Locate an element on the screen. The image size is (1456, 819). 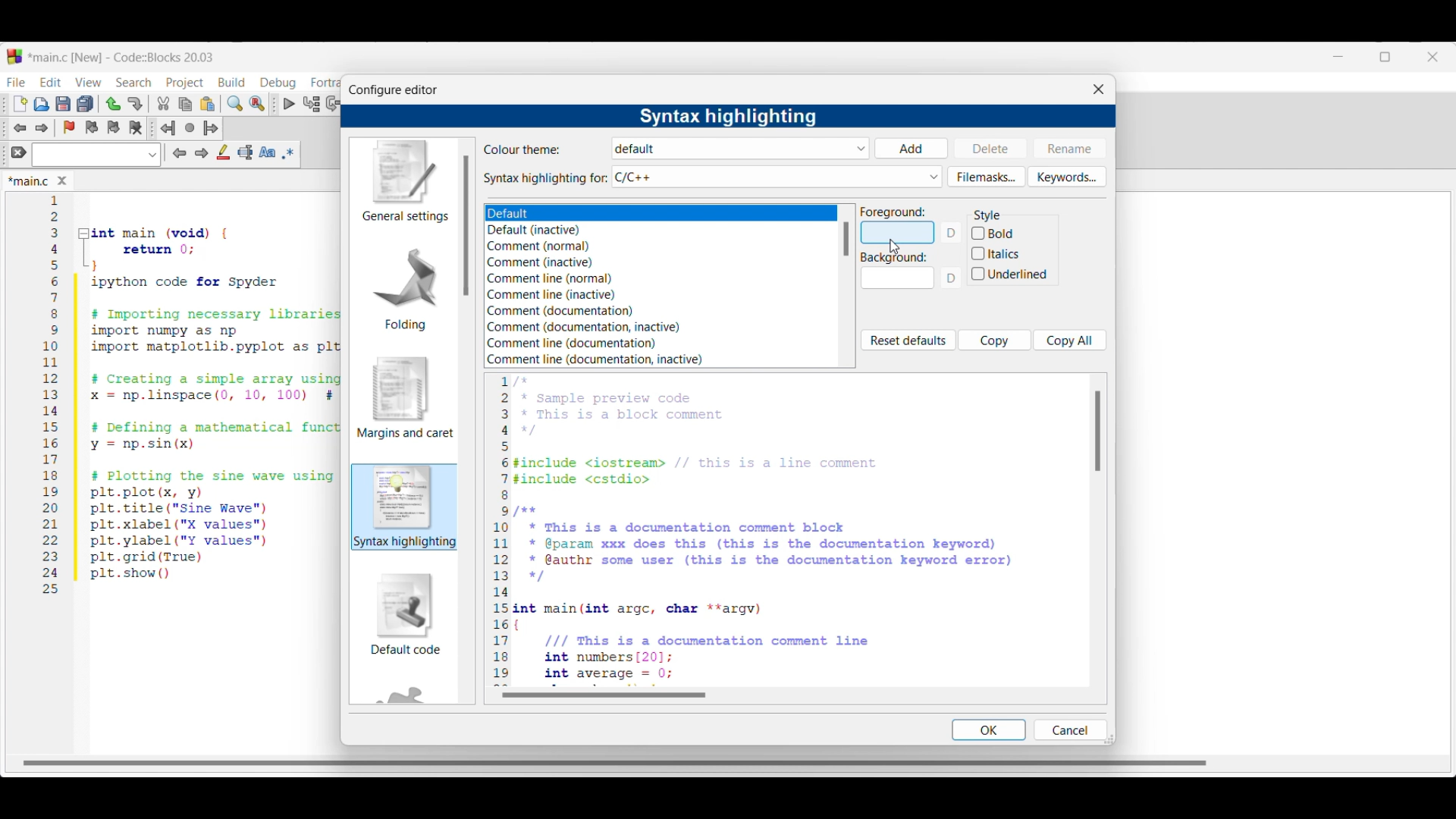
Open is located at coordinates (42, 104).